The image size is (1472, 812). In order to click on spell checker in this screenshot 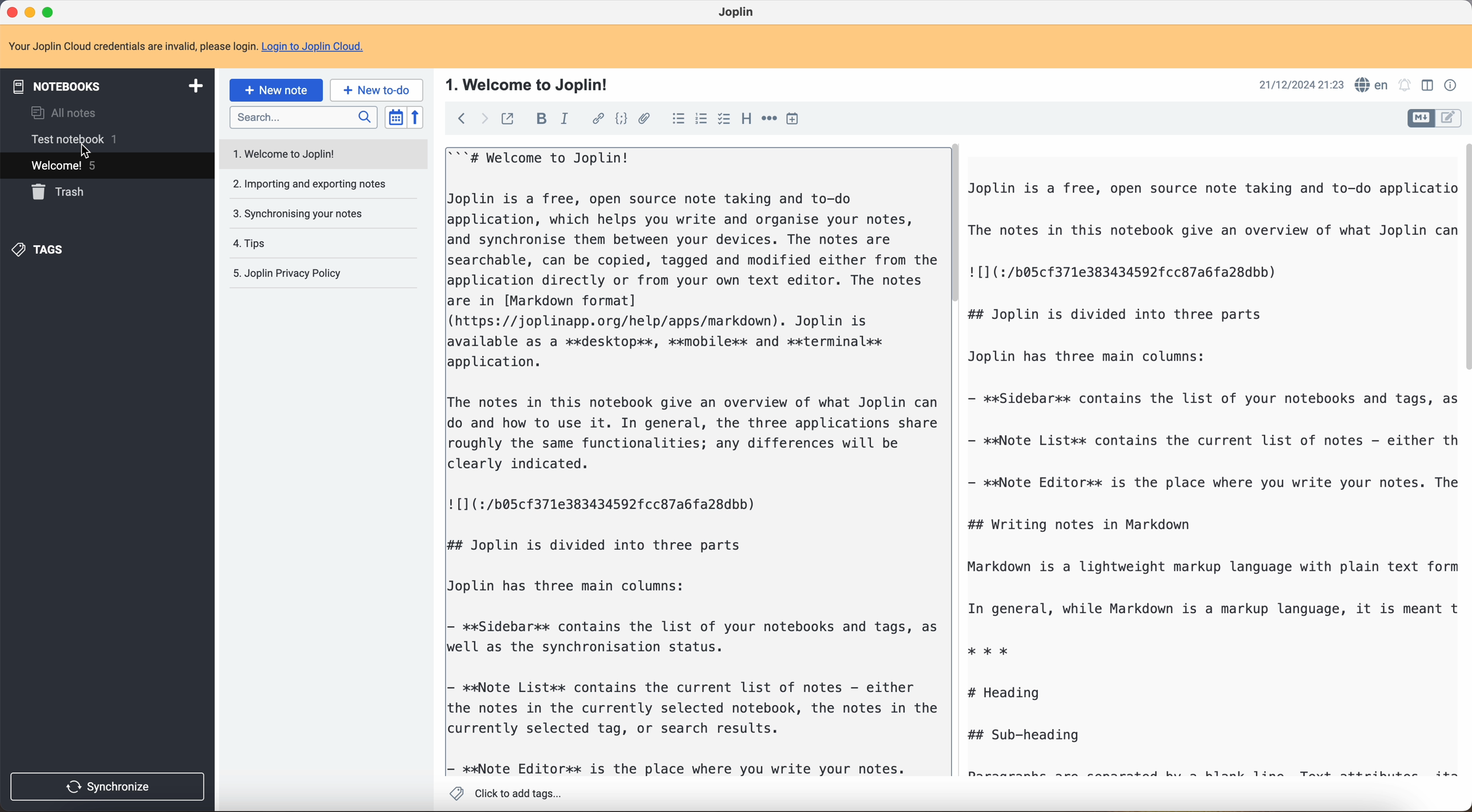, I will do `click(1373, 83)`.